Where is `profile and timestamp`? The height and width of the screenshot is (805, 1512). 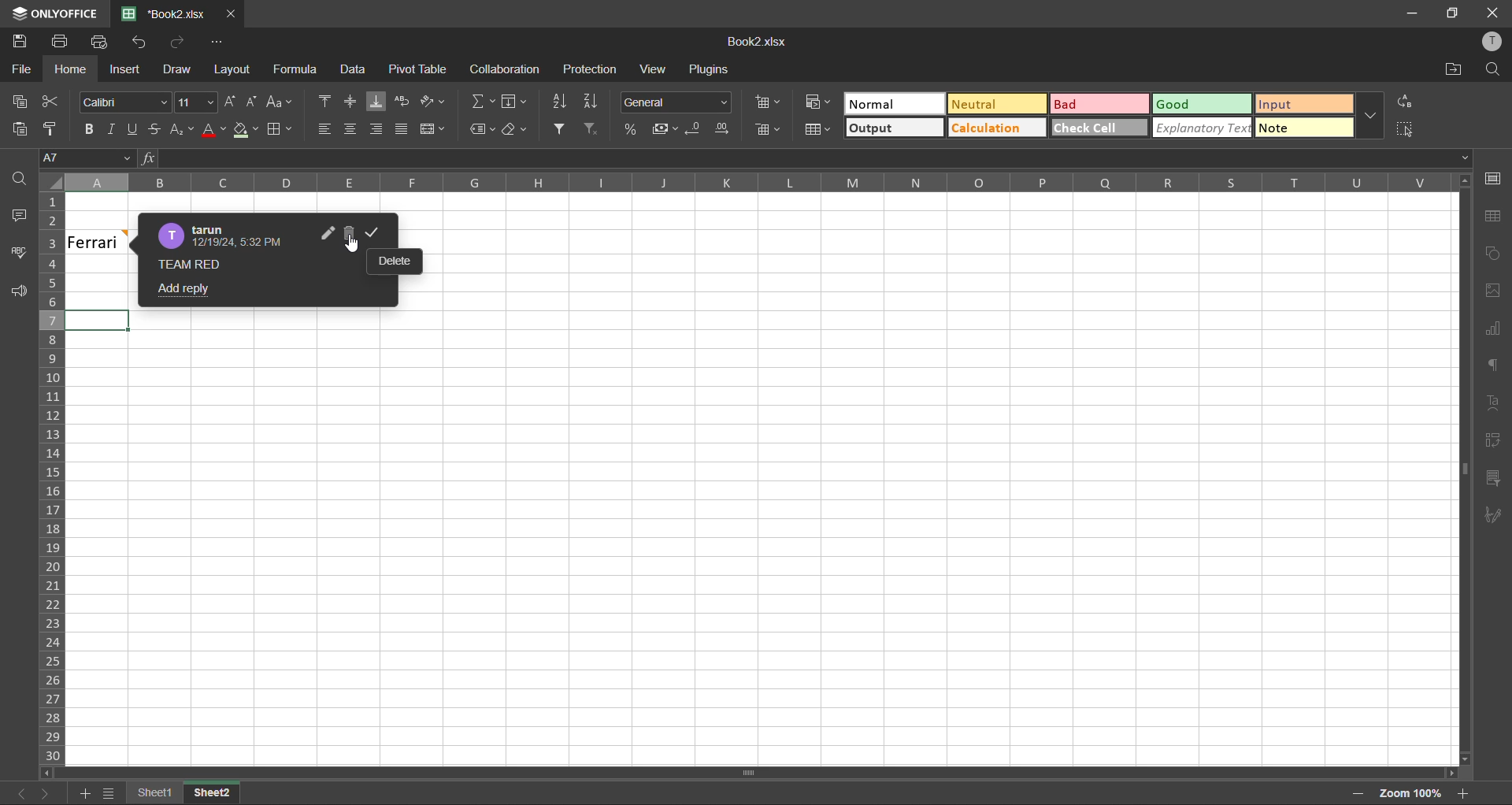
profile and timestamp is located at coordinates (227, 235).